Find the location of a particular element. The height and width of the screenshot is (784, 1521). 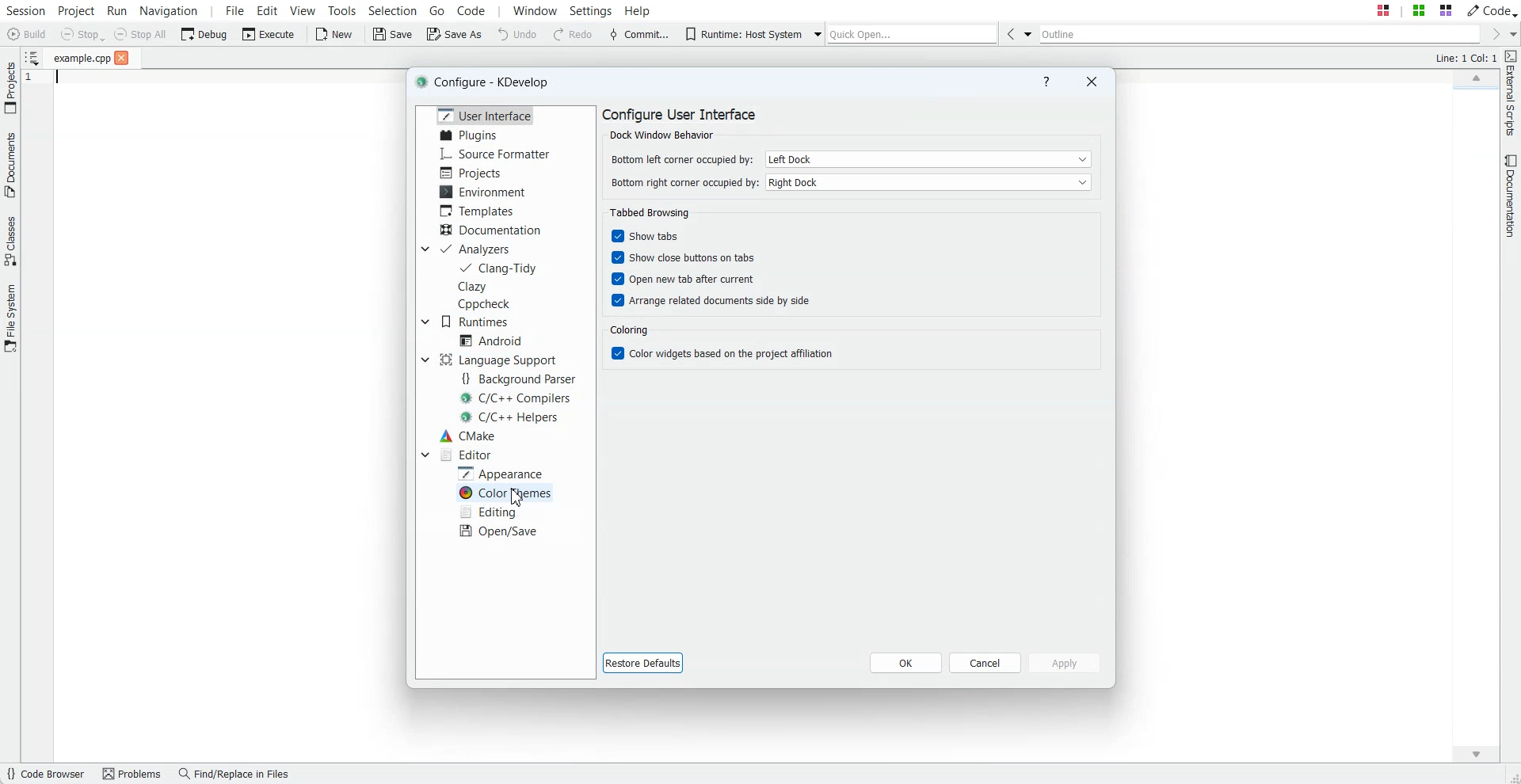

Quick Open is located at coordinates (912, 34).